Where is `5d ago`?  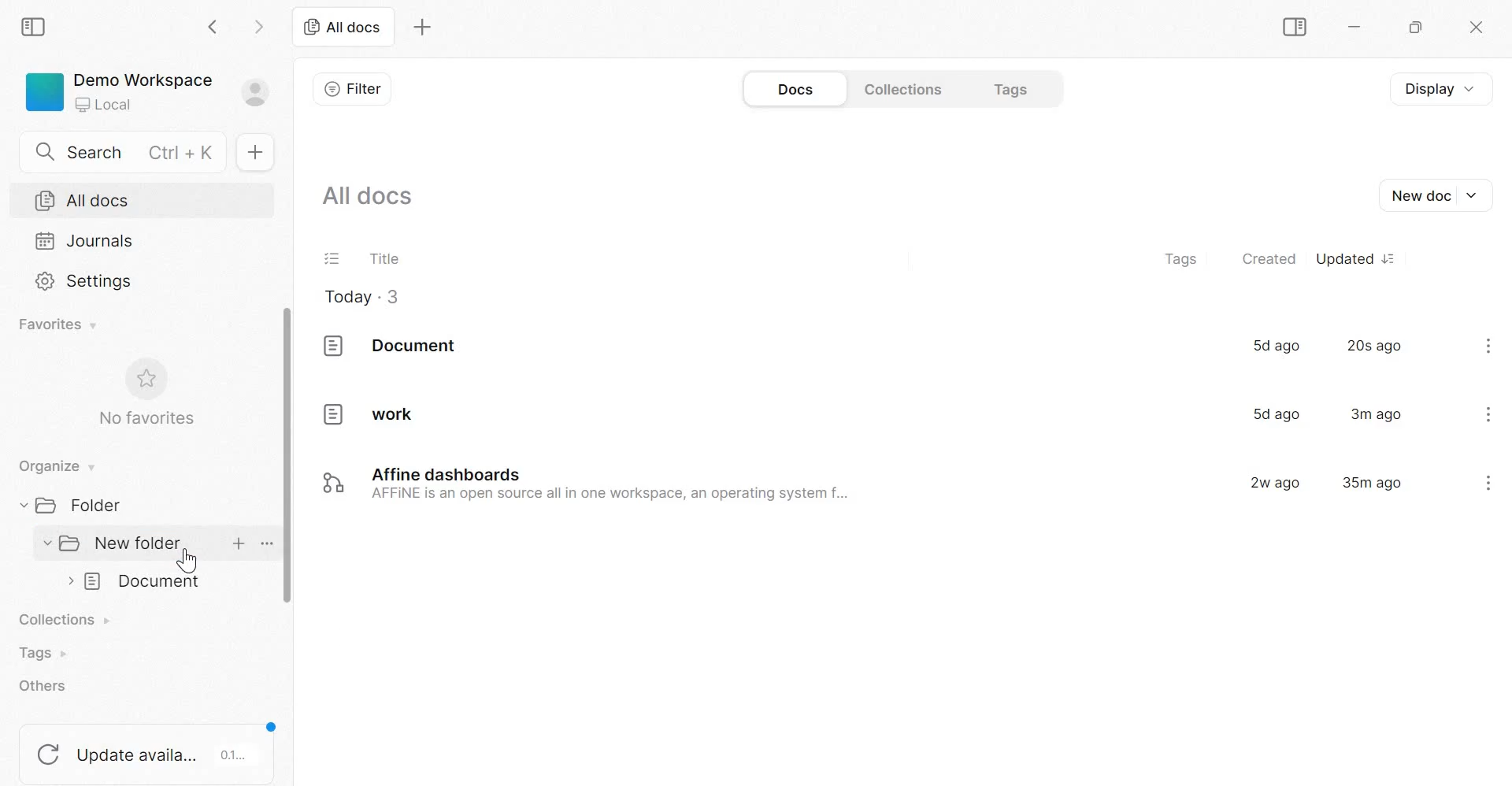
5d ago is located at coordinates (1273, 413).